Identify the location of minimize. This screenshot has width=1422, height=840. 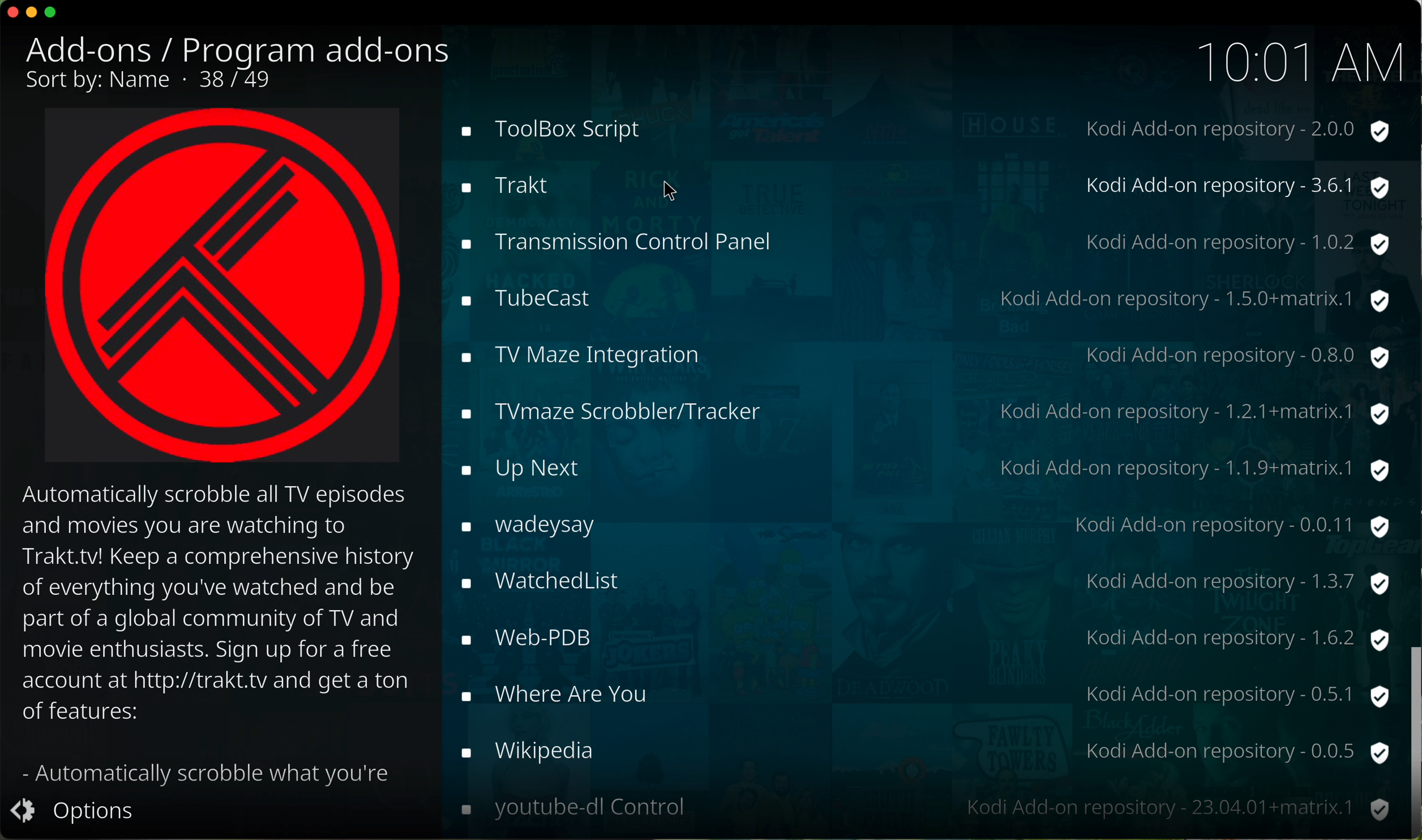
(32, 16).